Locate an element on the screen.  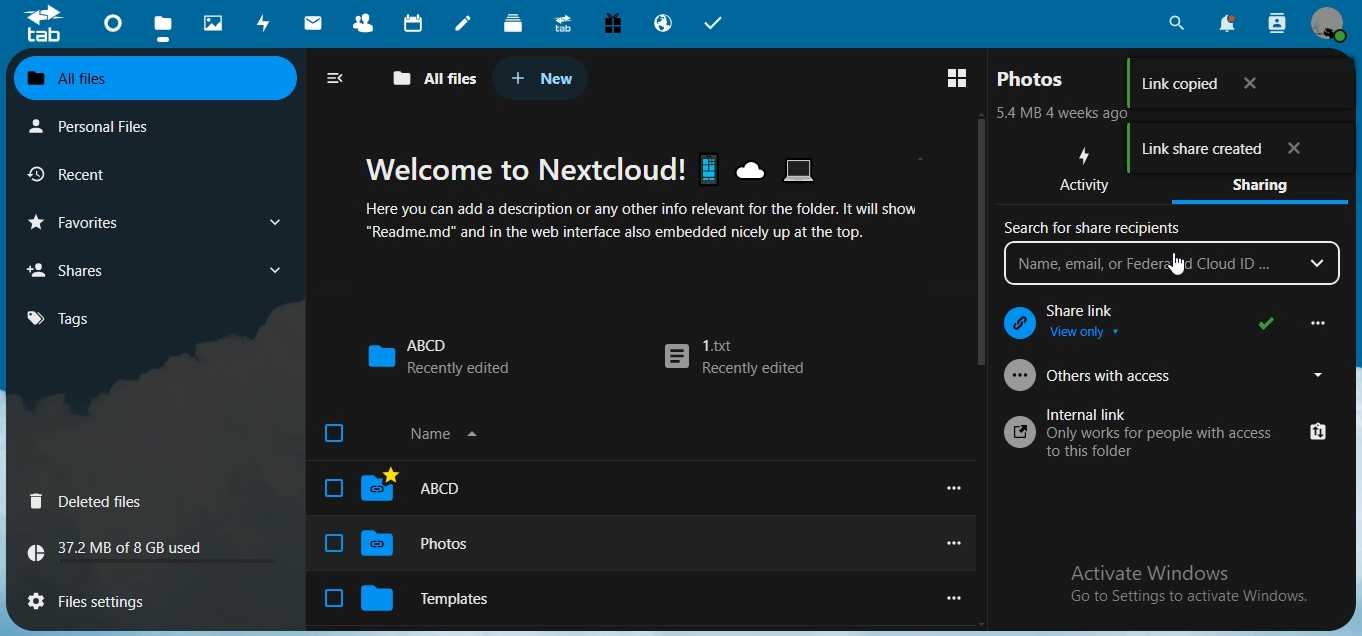
more optiosn is located at coordinates (951, 600).